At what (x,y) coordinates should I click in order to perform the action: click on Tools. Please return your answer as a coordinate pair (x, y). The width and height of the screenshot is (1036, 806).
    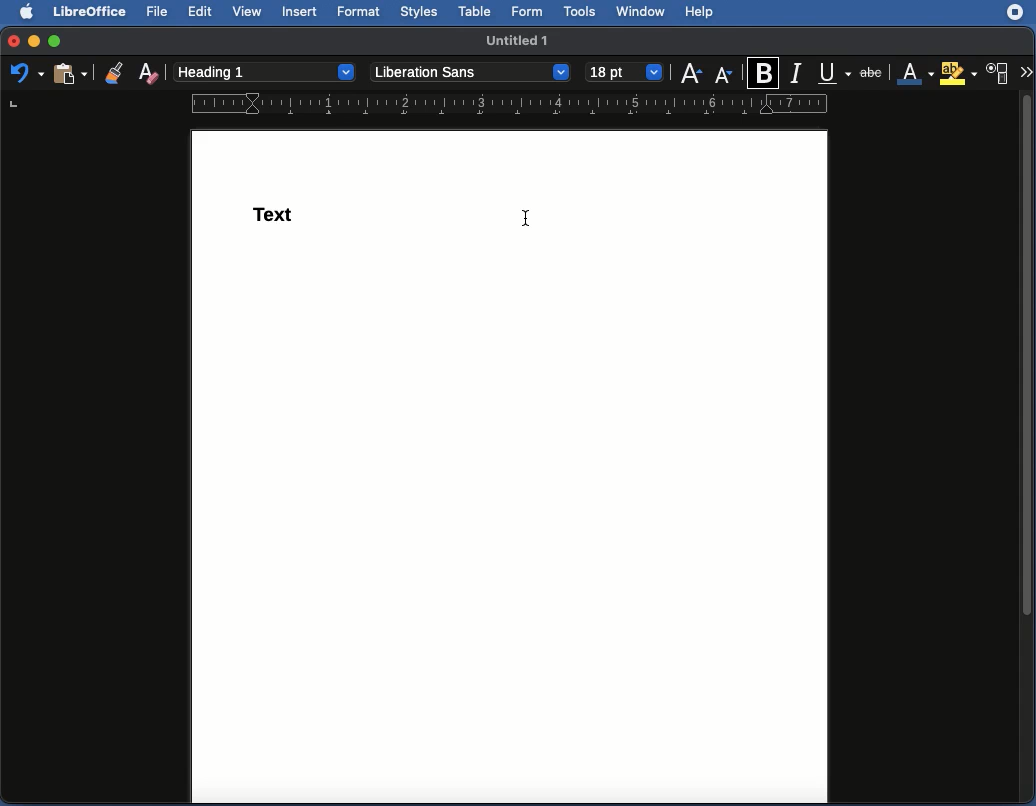
    Looking at the image, I should click on (580, 13).